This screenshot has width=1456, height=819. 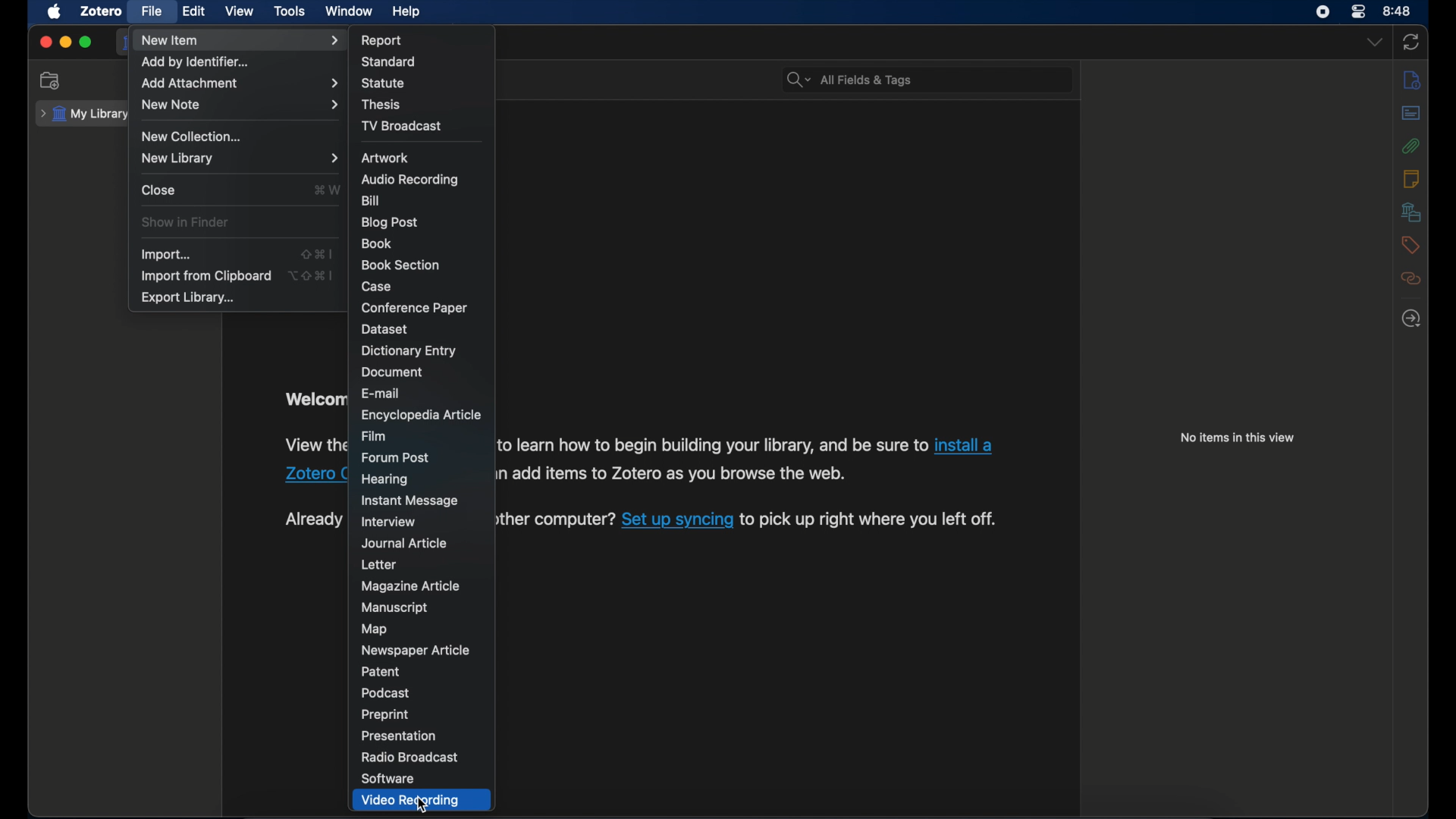 What do you see at coordinates (384, 330) in the screenshot?
I see `dataset` at bounding box center [384, 330].